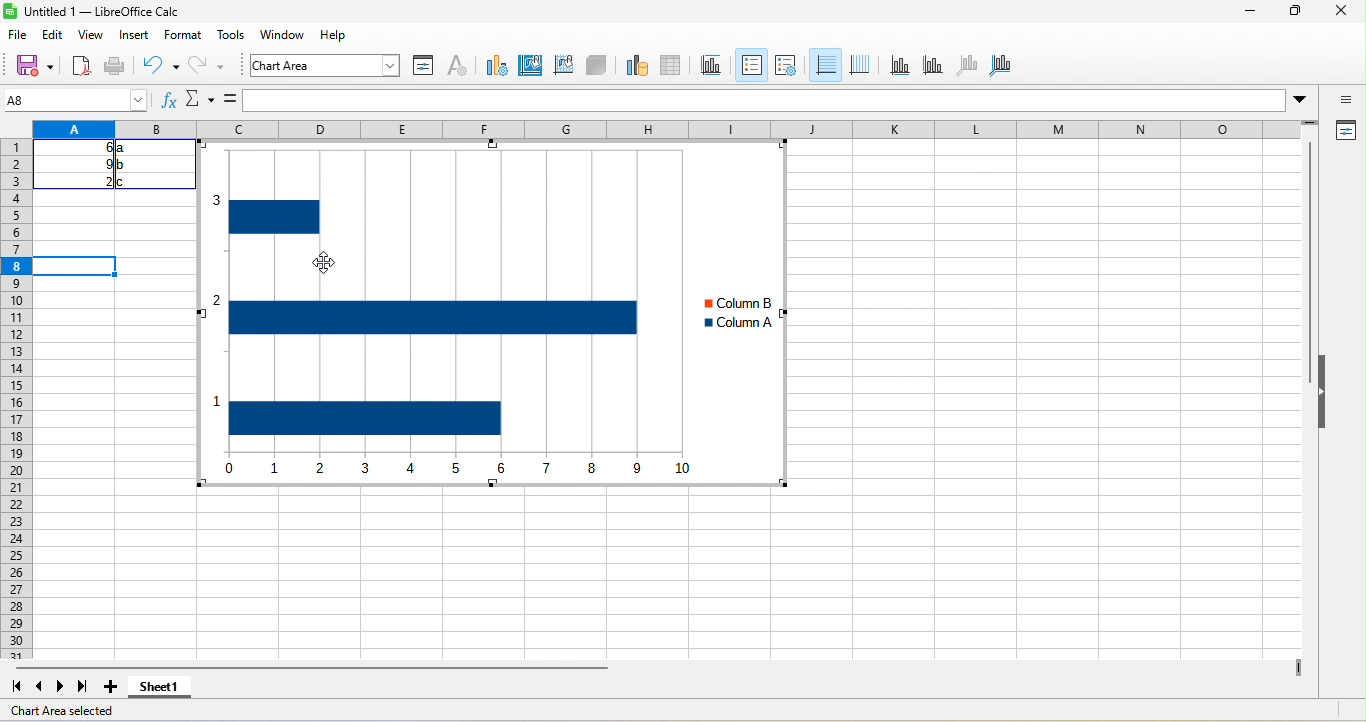 This screenshot has width=1366, height=722. I want to click on A8, so click(73, 100).